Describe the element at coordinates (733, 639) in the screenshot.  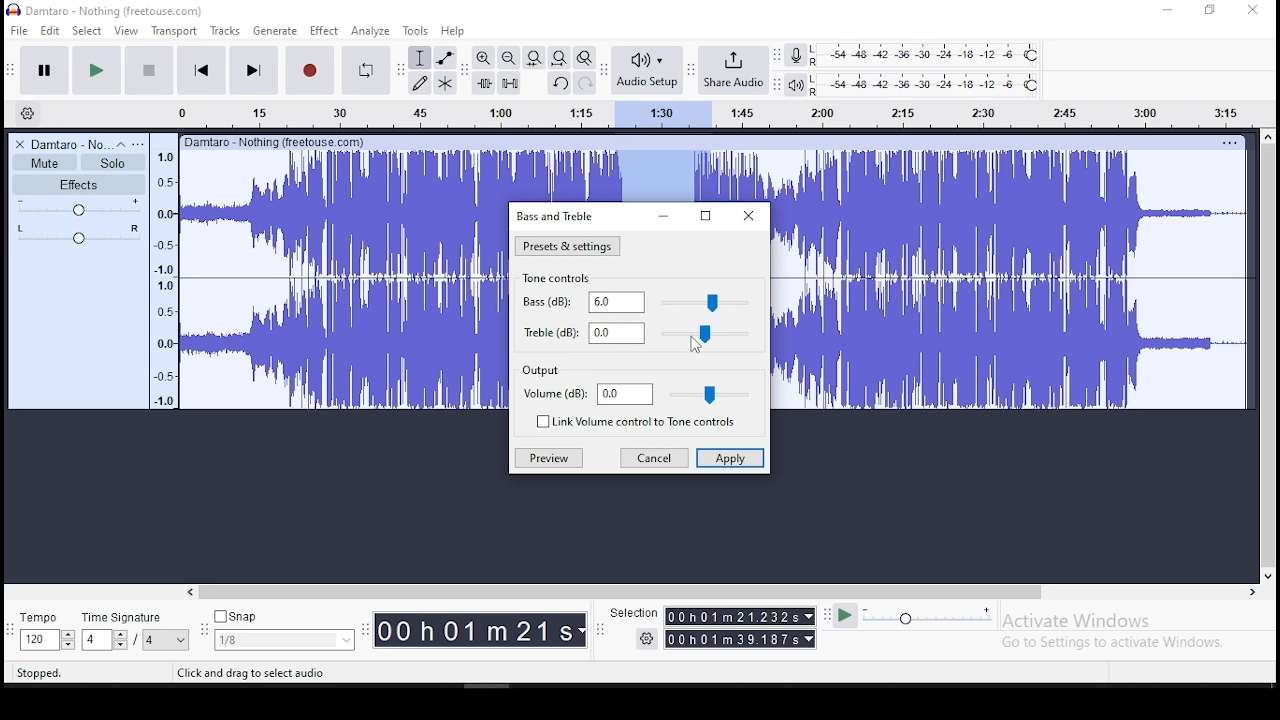
I see `00 h 01 m 39.187s` at that location.